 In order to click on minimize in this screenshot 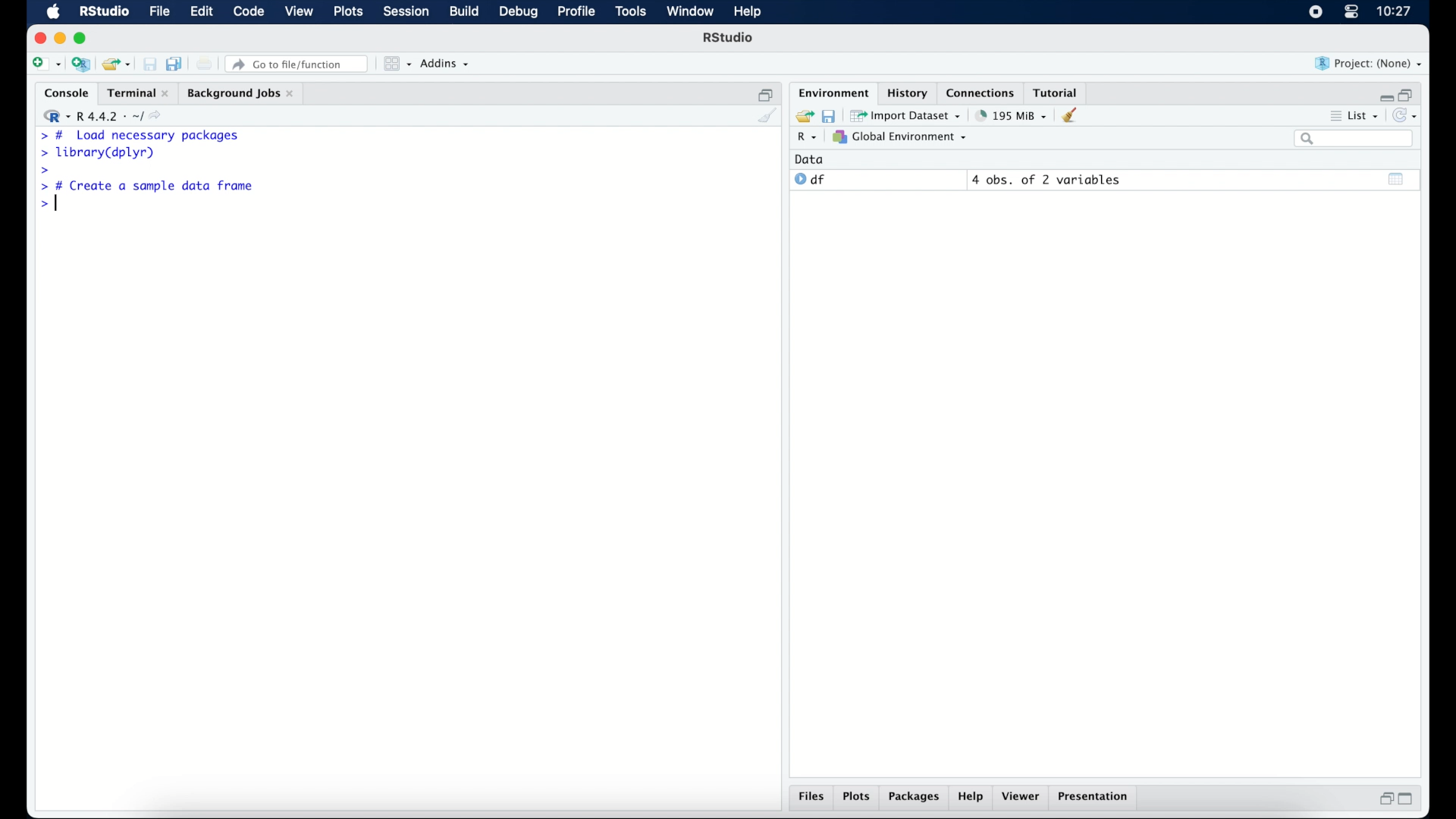, I will do `click(1384, 94)`.